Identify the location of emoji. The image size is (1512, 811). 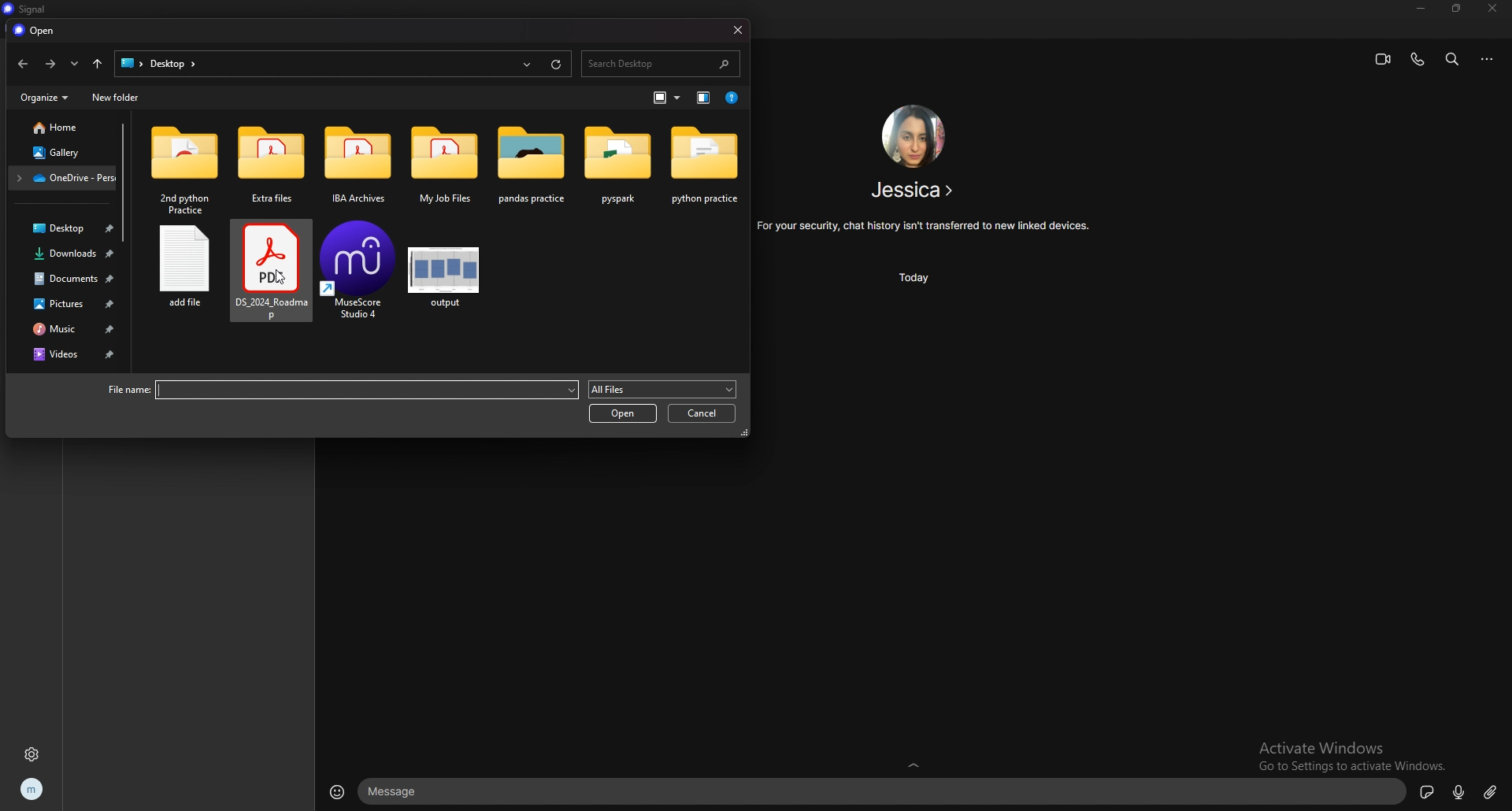
(339, 791).